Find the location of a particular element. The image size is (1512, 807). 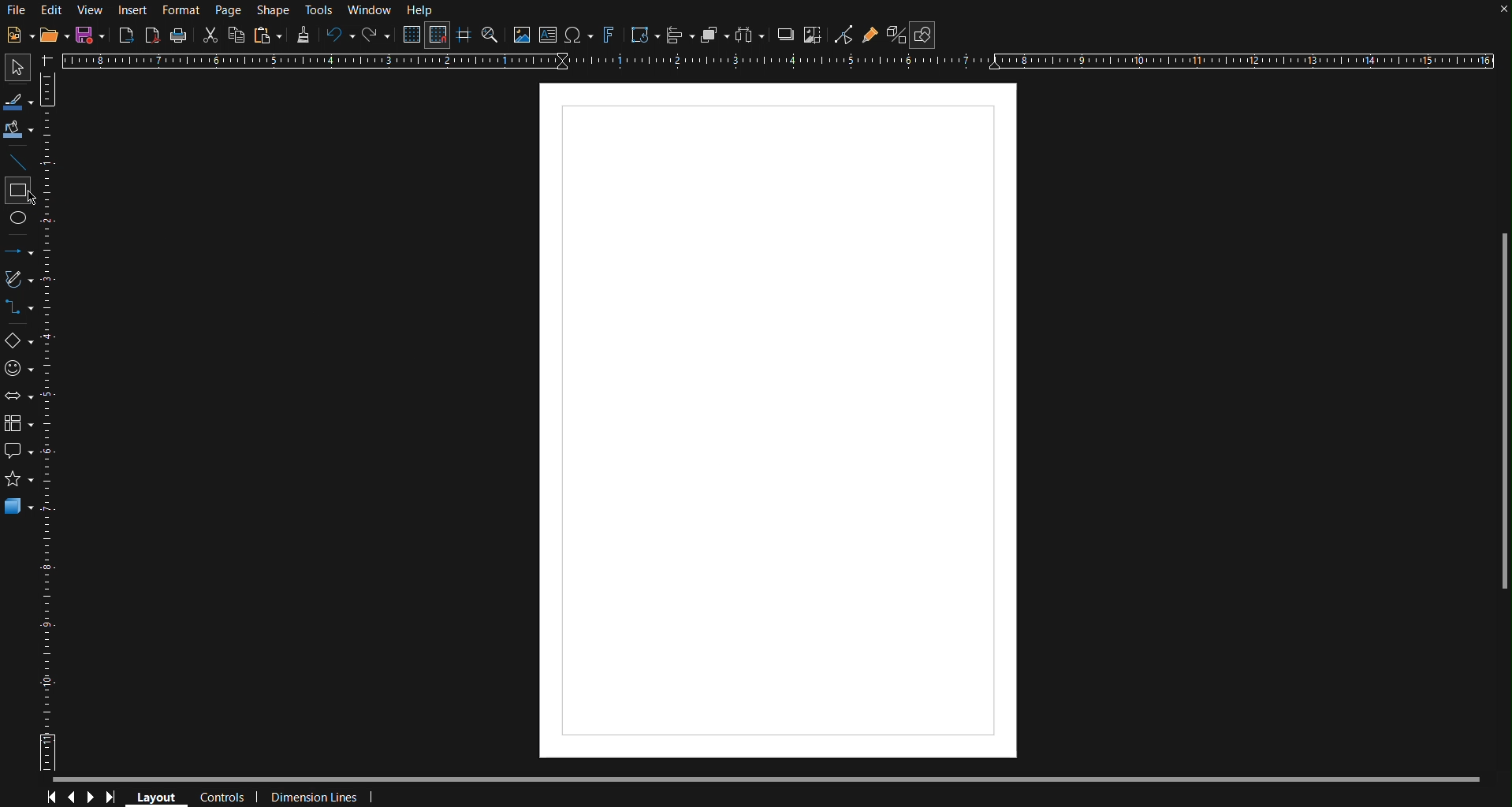

Fontworks is located at coordinates (608, 35).